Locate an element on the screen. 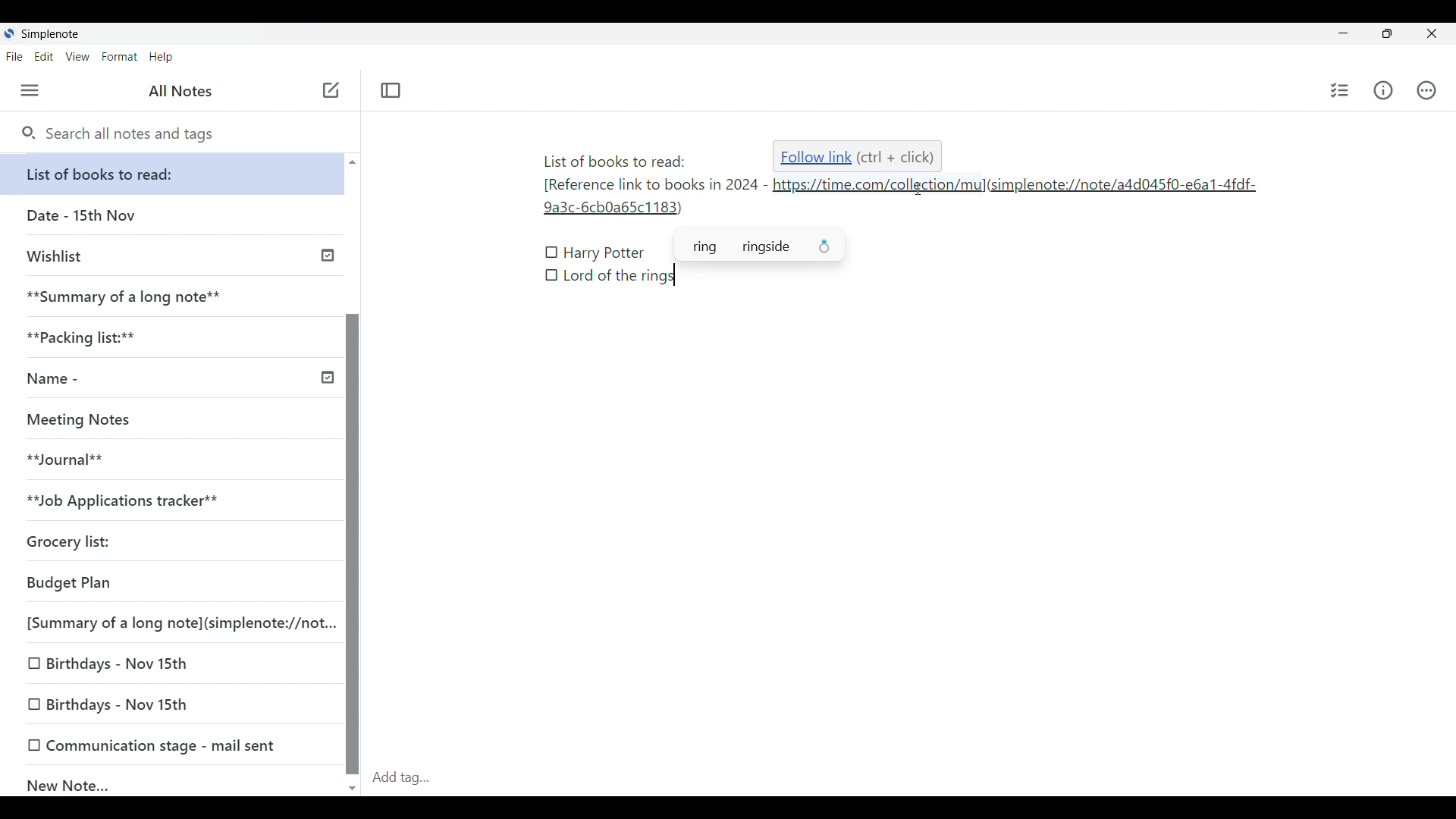 The height and width of the screenshot is (819, 1456). Minimize is located at coordinates (1340, 32).